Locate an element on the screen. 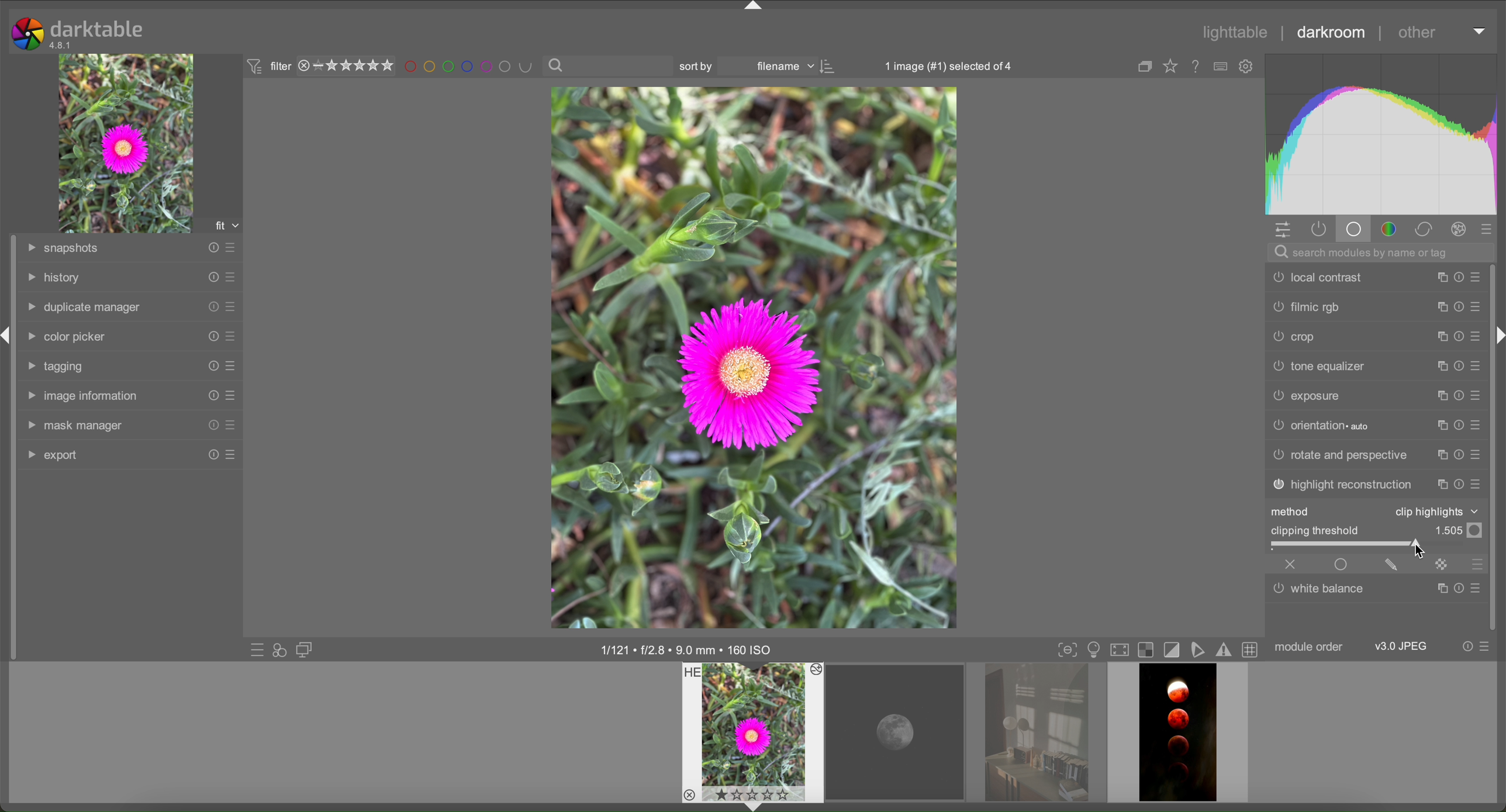 This screenshot has height=812, width=1506. copy is located at coordinates (1438, 336).